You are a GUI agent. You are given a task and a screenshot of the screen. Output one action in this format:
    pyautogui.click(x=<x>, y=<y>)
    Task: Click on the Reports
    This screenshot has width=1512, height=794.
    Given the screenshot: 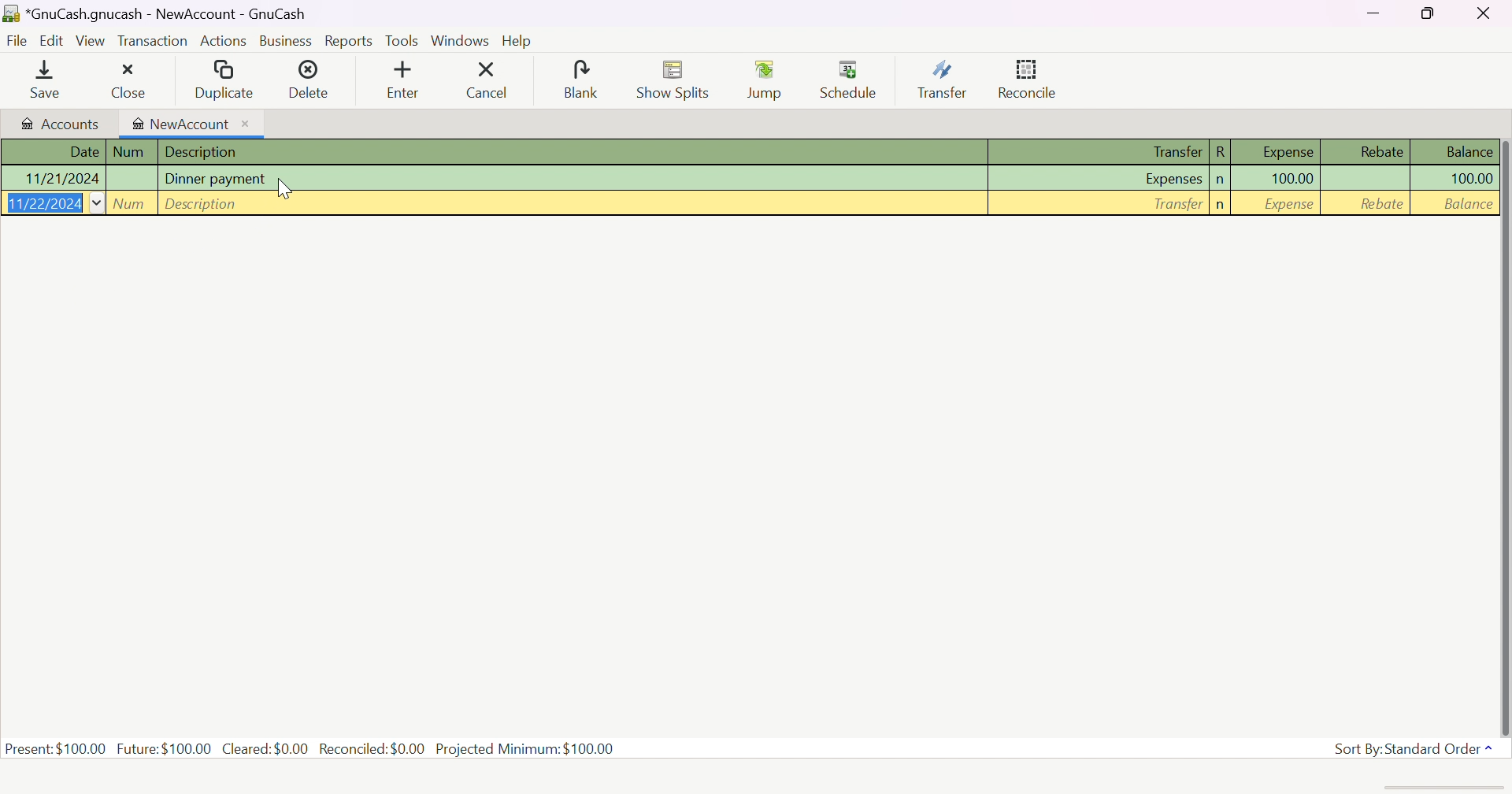 What is the action you would take?
    pyautogui.click(x=347, y=42)
    